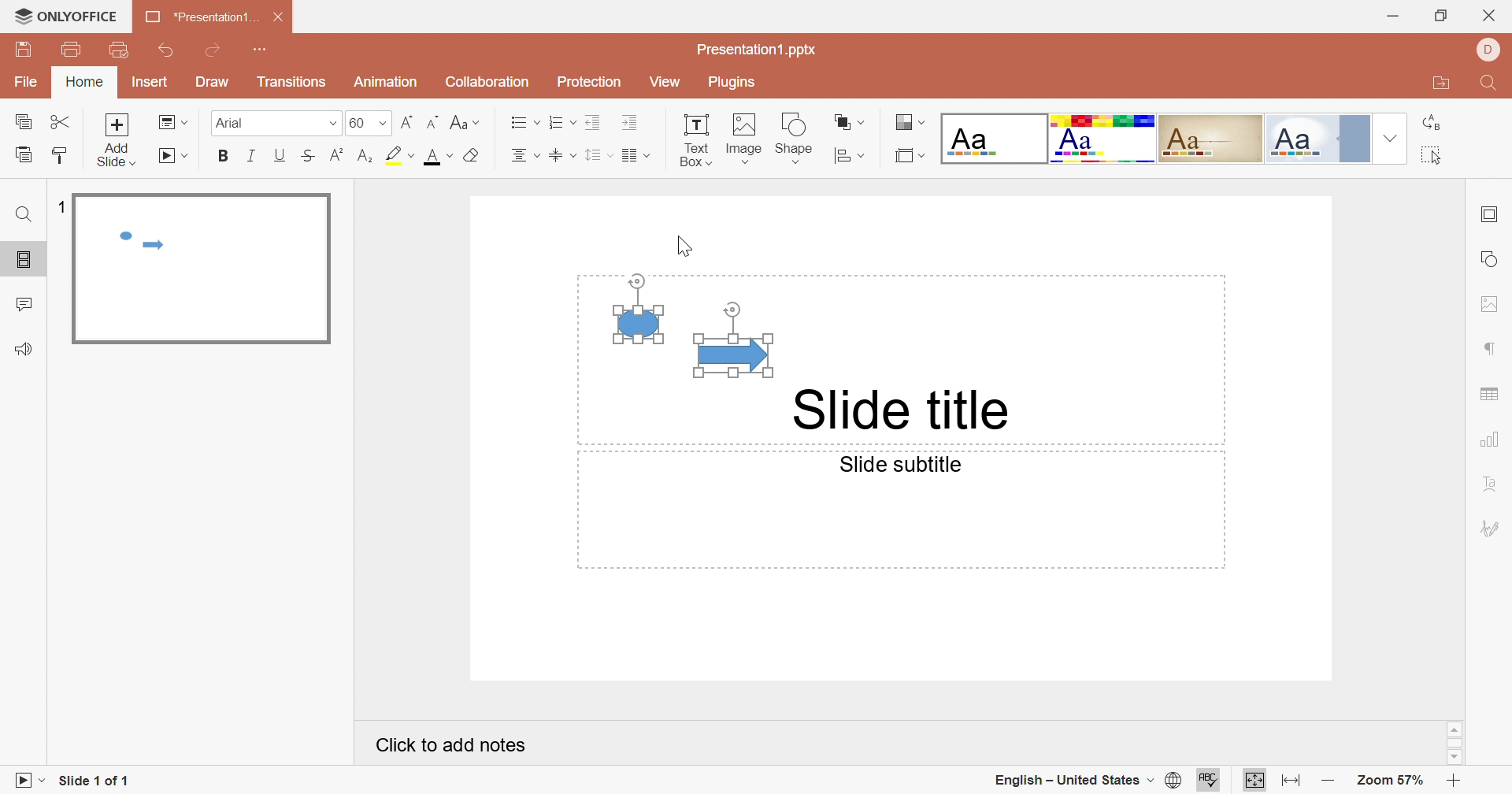 This screenshot has height=794, width=1512. What do you see at coordinates (308, 158) in the screenshot?
I see `Strikethrough` at bounding box center [308, 158].